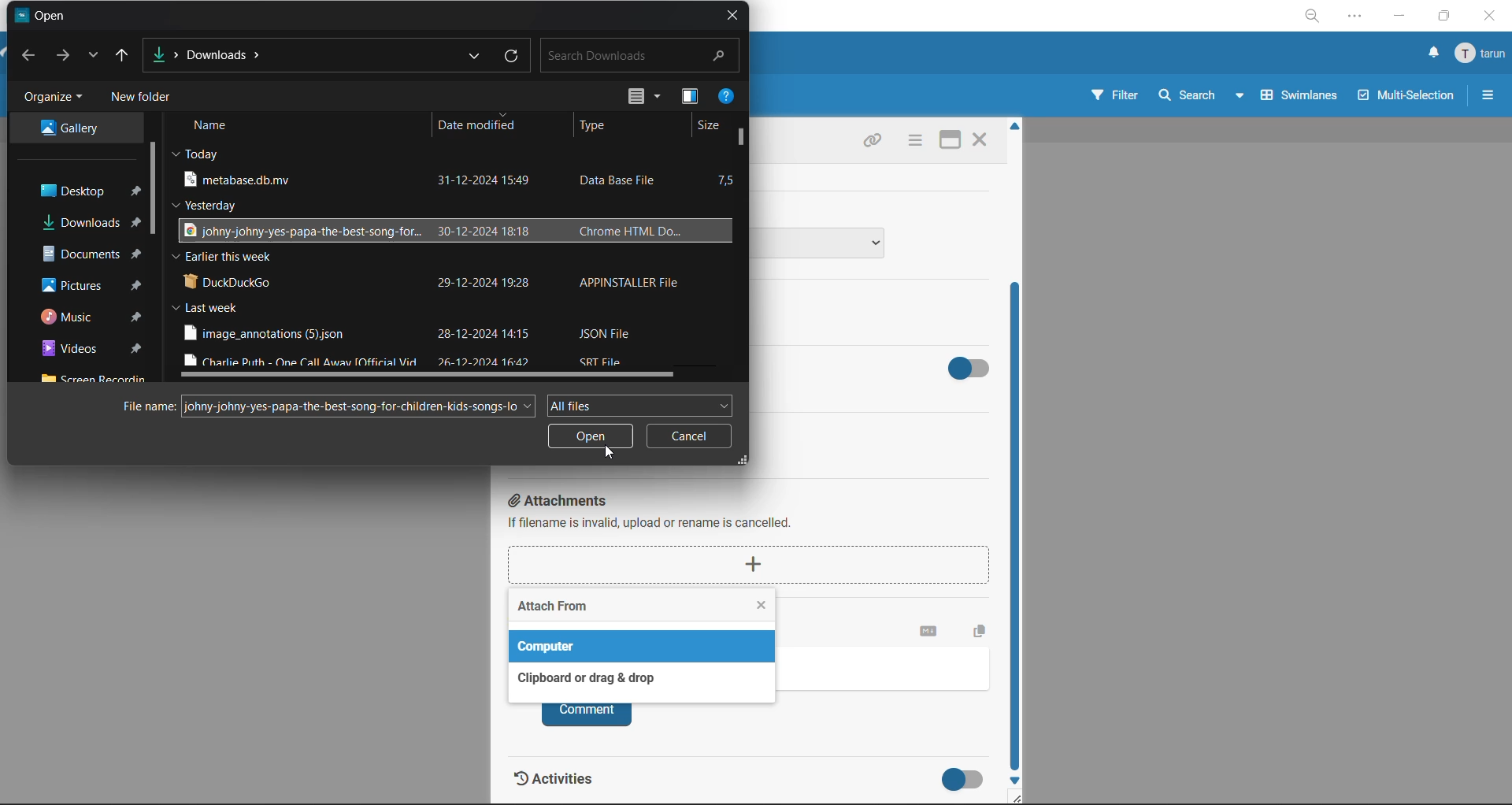 This screenshot has width=1512, height=805. I want to click on gallery, so click(84, 129).